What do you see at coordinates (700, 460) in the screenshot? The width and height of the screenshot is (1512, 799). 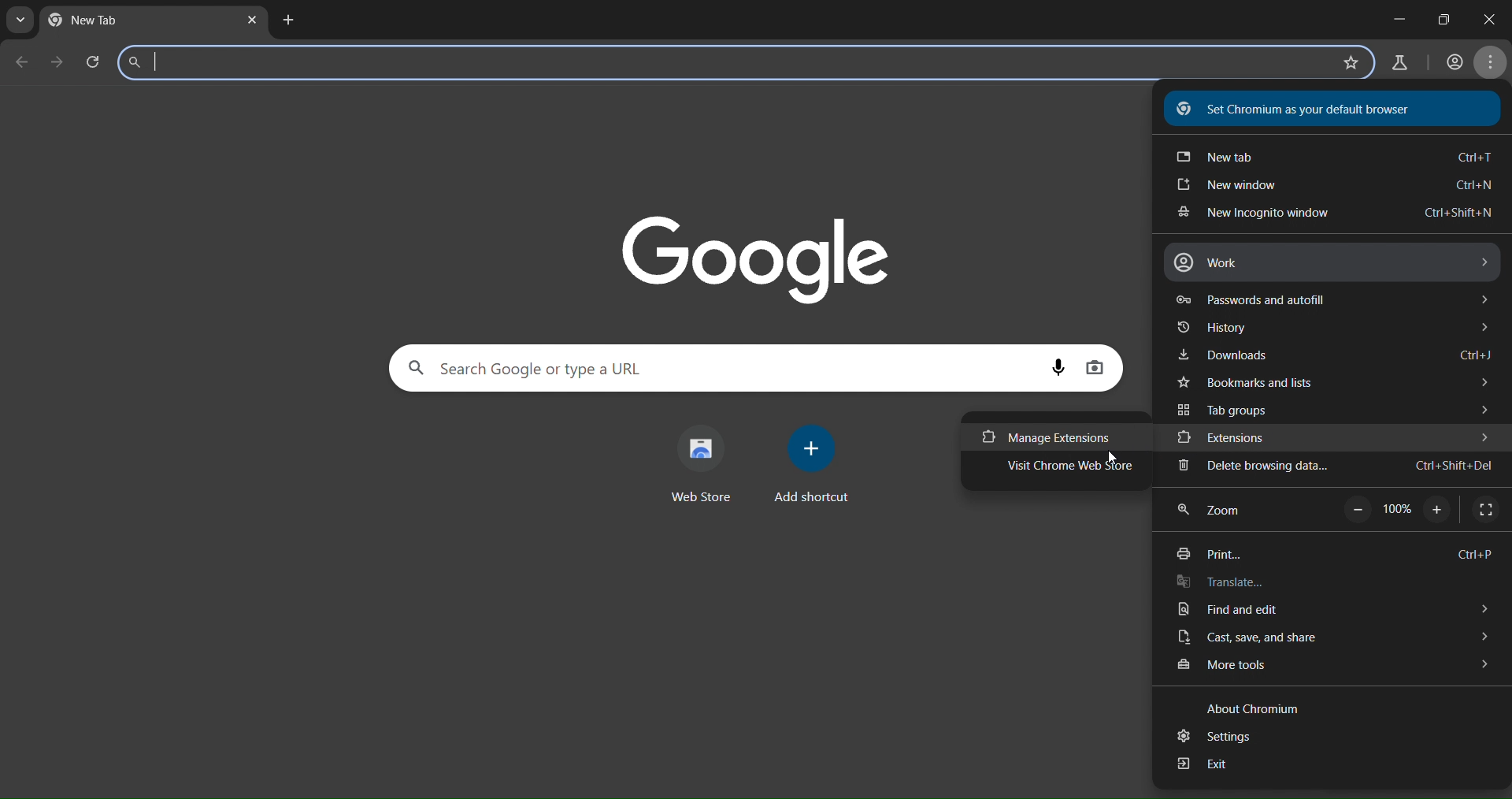 I see `web store` at bounding box center [700, 460].